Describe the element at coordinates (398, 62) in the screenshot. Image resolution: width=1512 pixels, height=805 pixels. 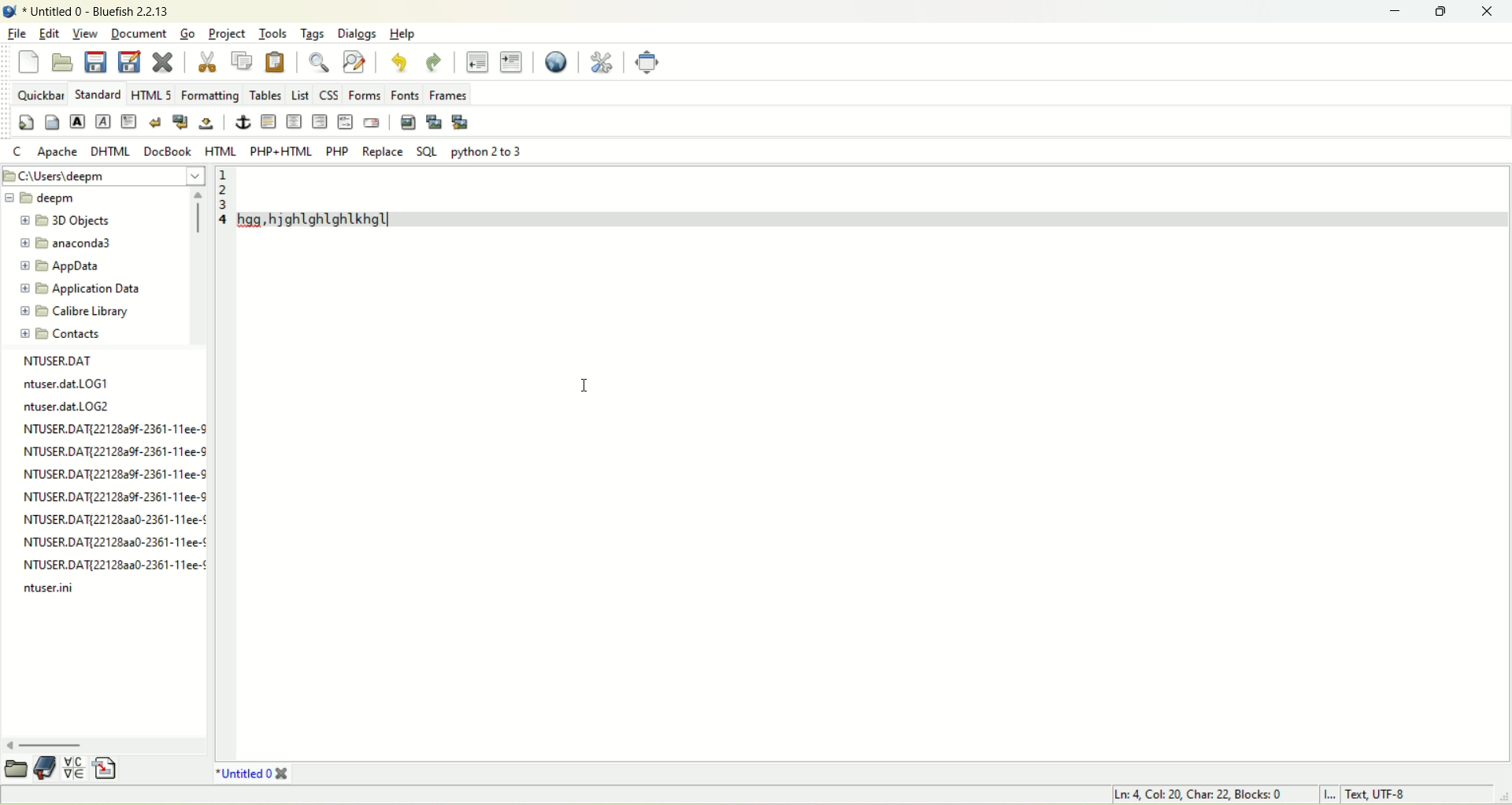
I see `undo` at that location.